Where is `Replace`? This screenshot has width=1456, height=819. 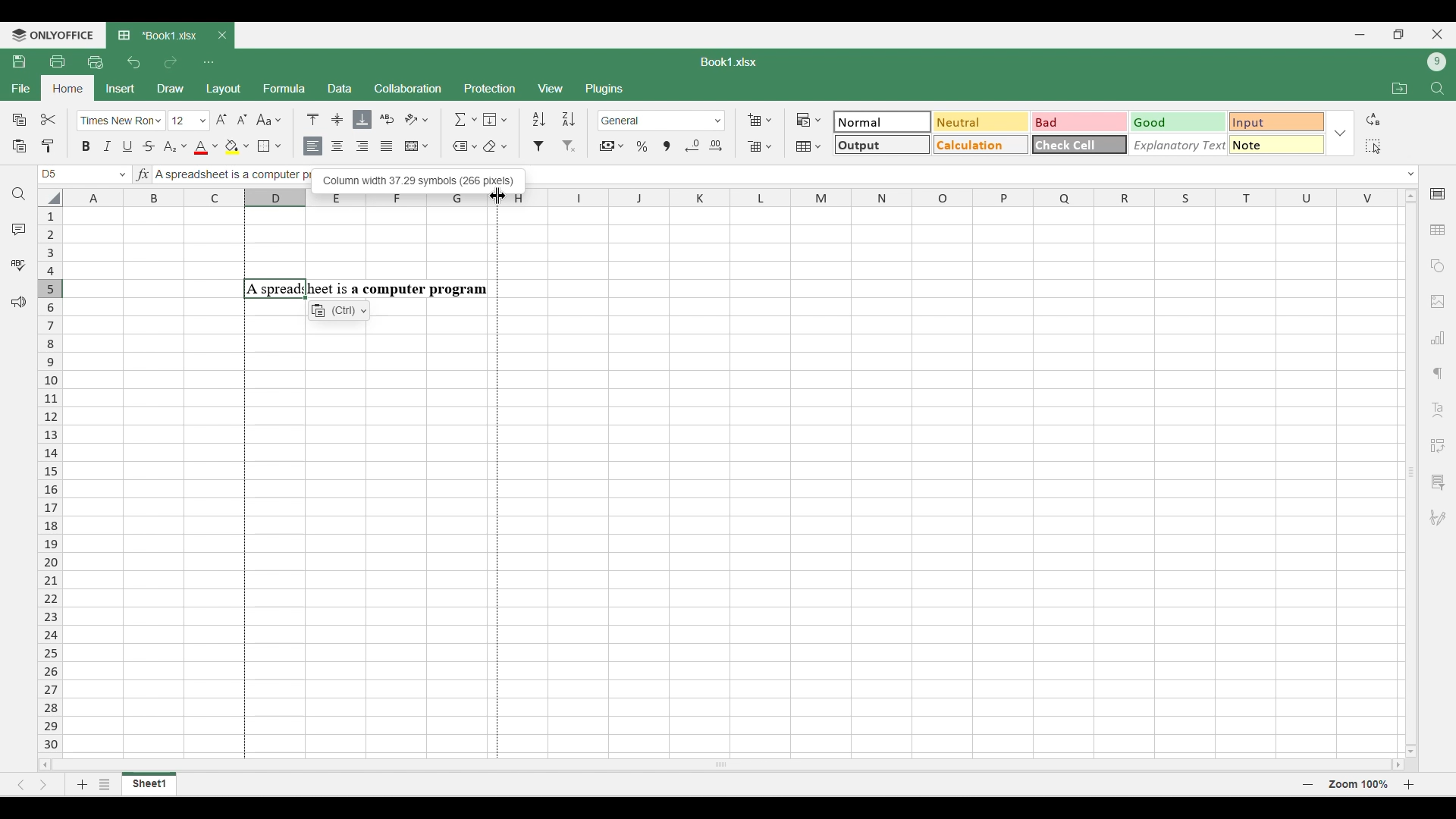 Replace is located at coordinates (1373, 119).